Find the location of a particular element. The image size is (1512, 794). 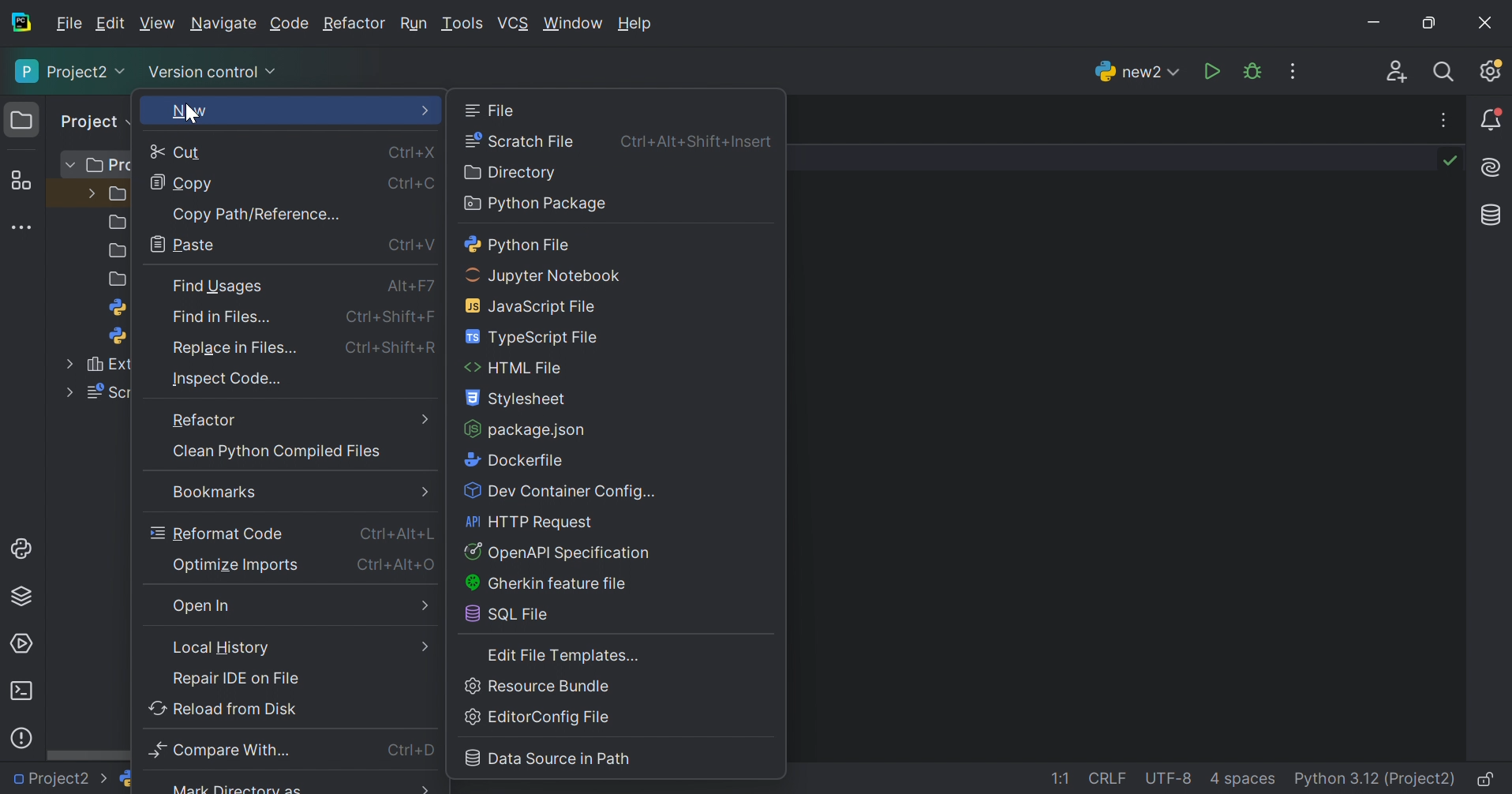

HTML file is located at coordinates (515, 369).